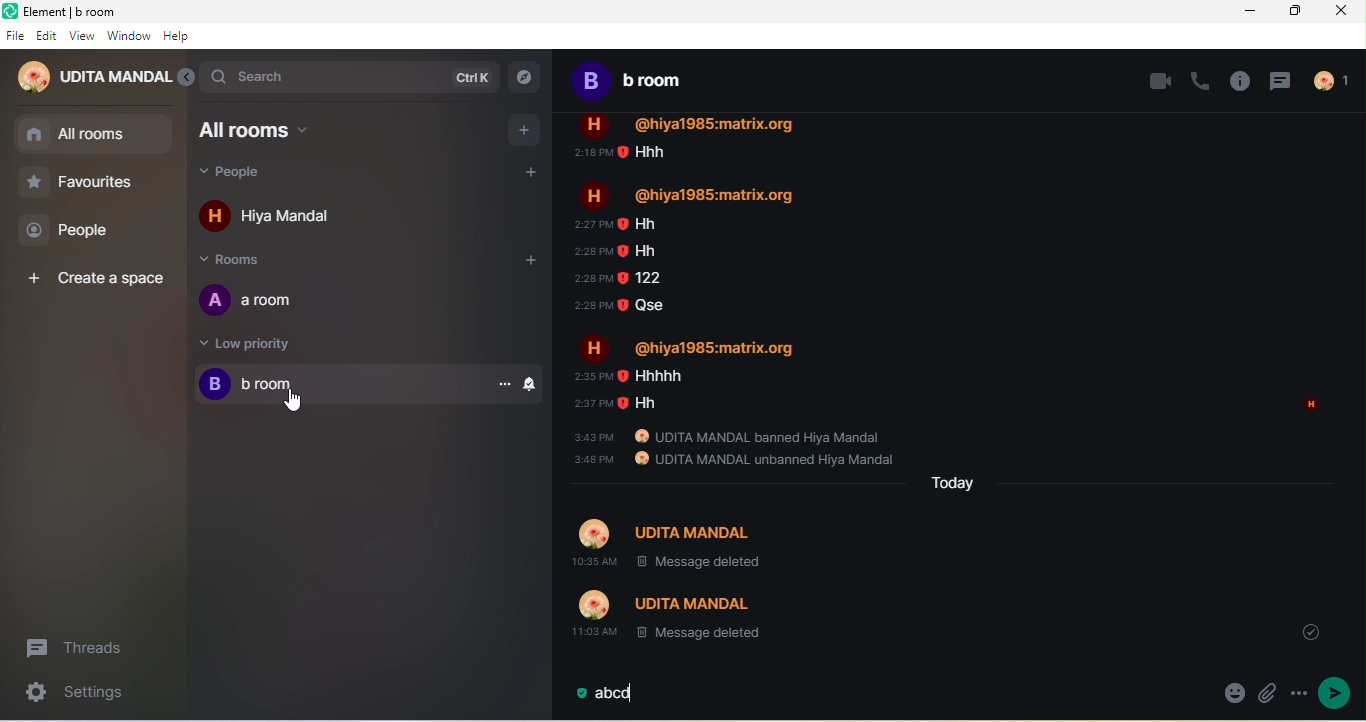 This screenshot has width=1366, height=722. What do you see at coordinates (338, 385) in the screenshot?
I see `b room` at bounding box center [338, 385].